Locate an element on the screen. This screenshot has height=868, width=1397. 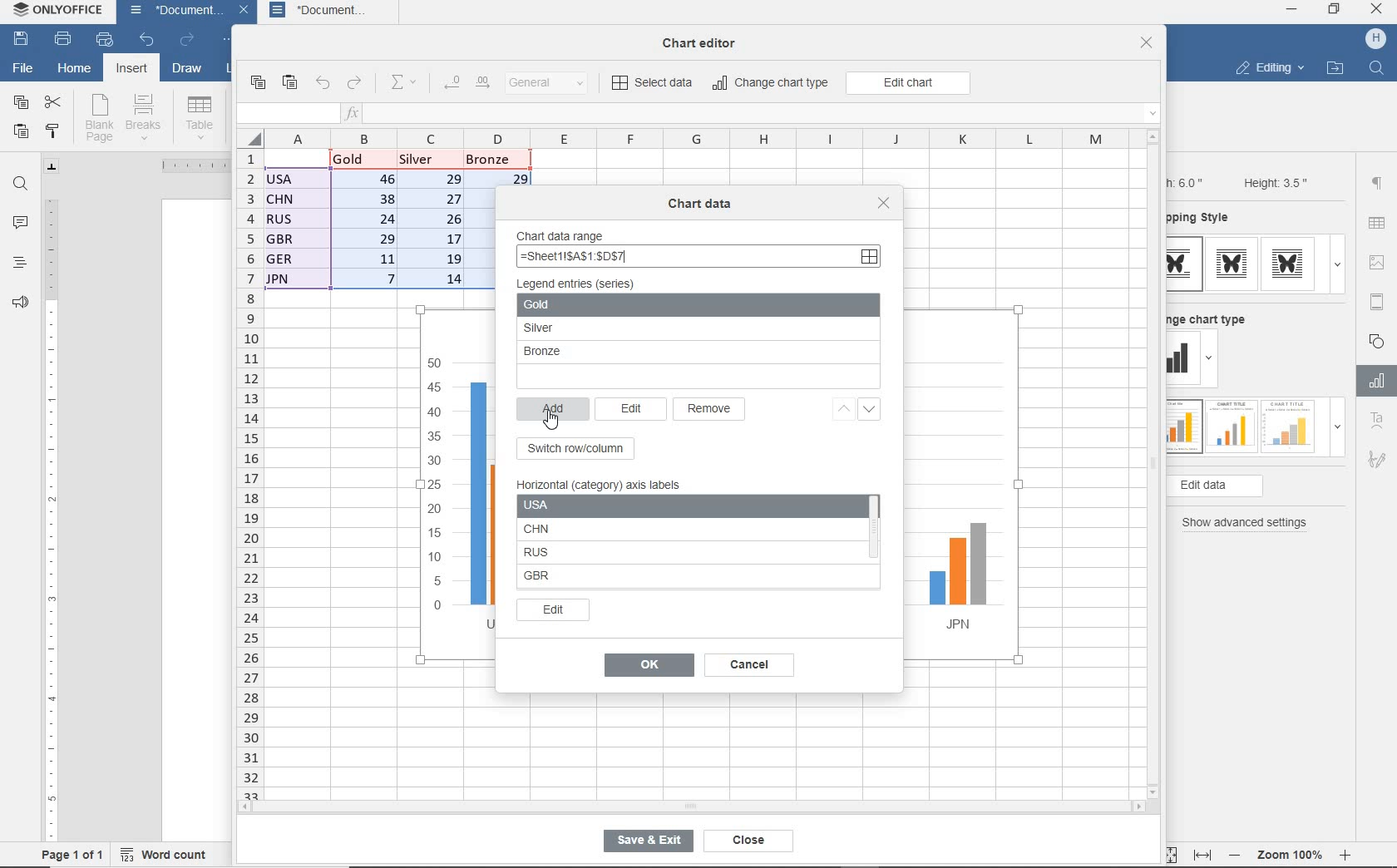
summation is located at coordinates (407, 83).